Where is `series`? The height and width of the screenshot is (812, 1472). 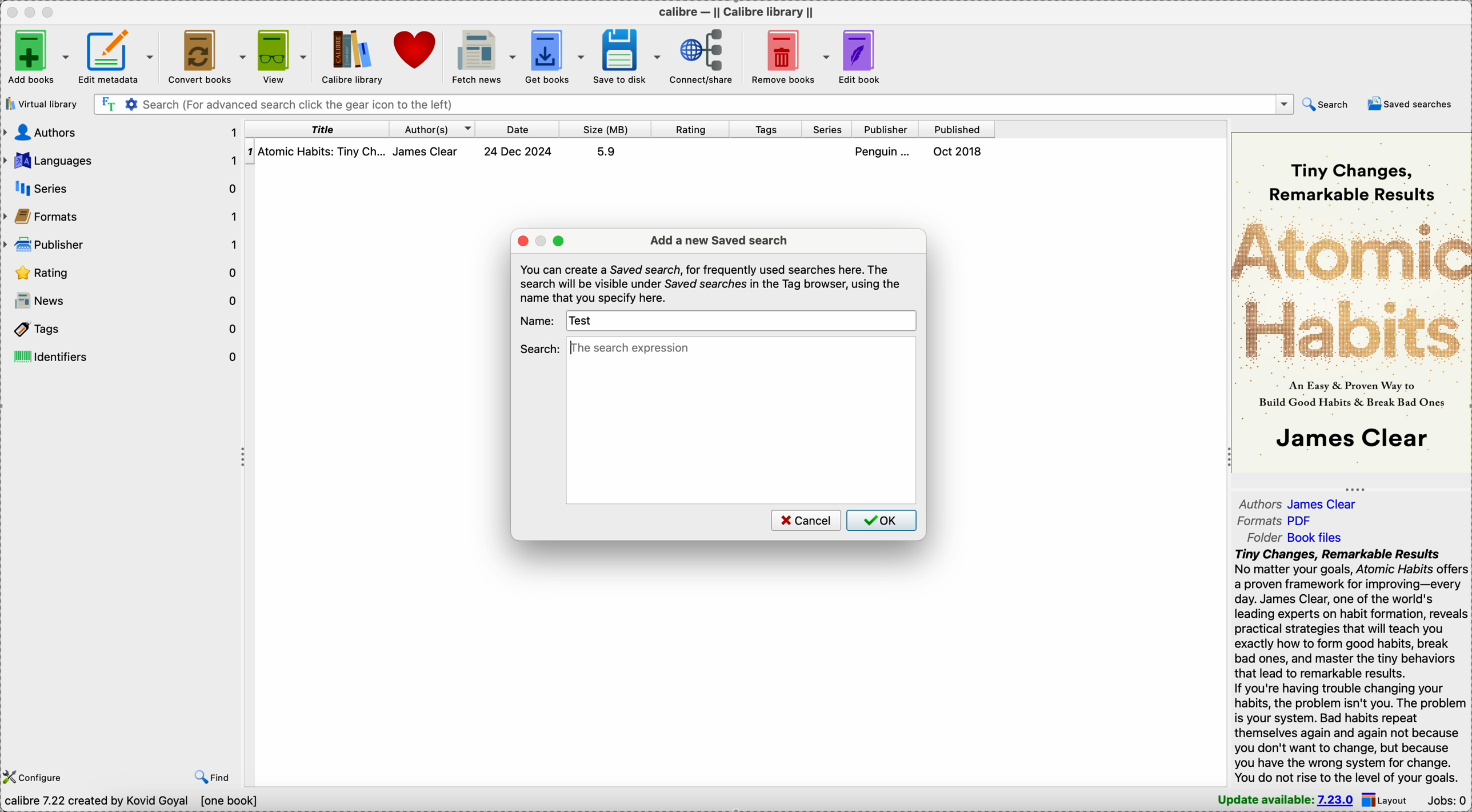 series is located at coordinates (828, 130).